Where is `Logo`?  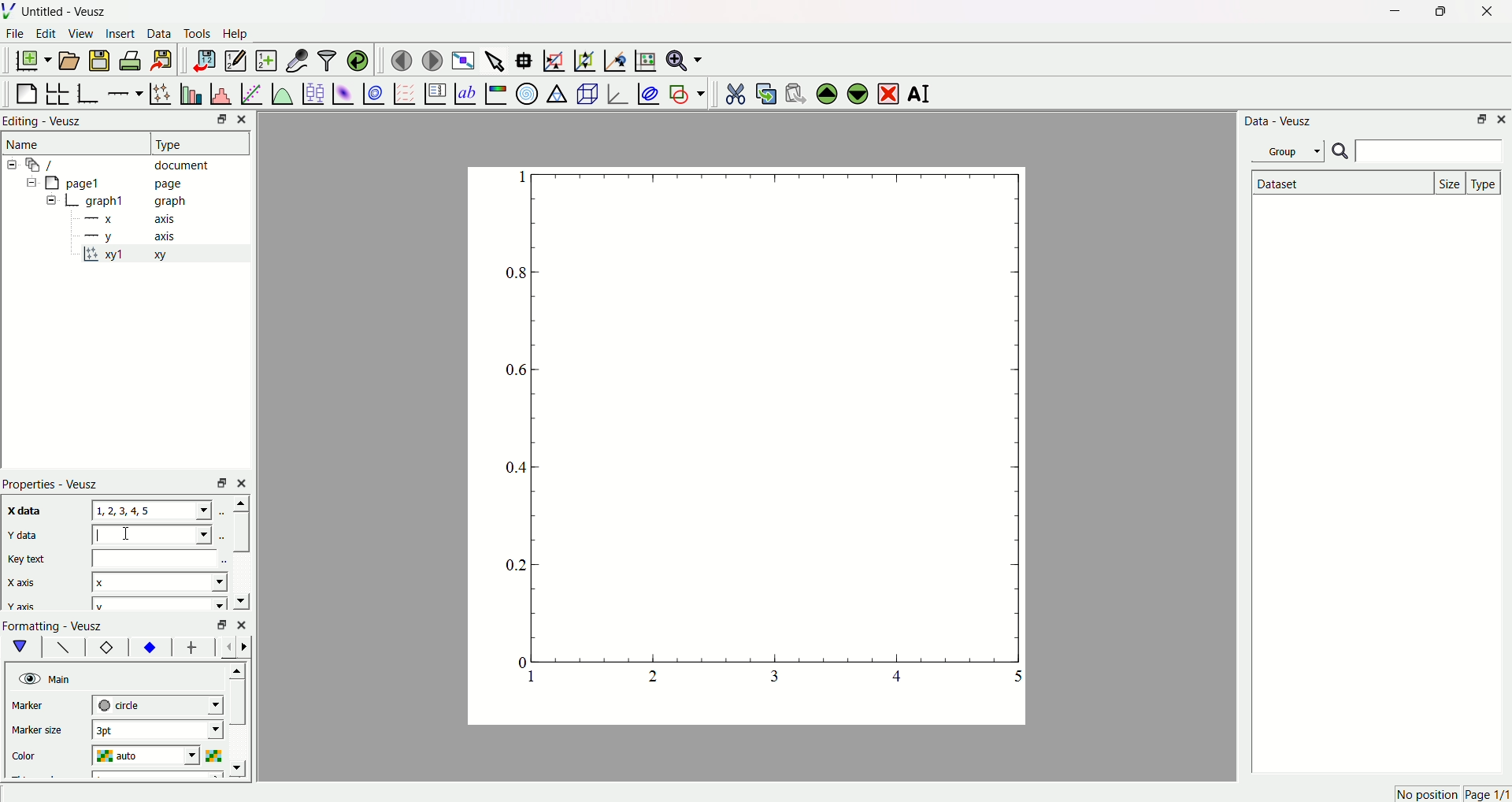
Logo is located at coordinates (12, 12).